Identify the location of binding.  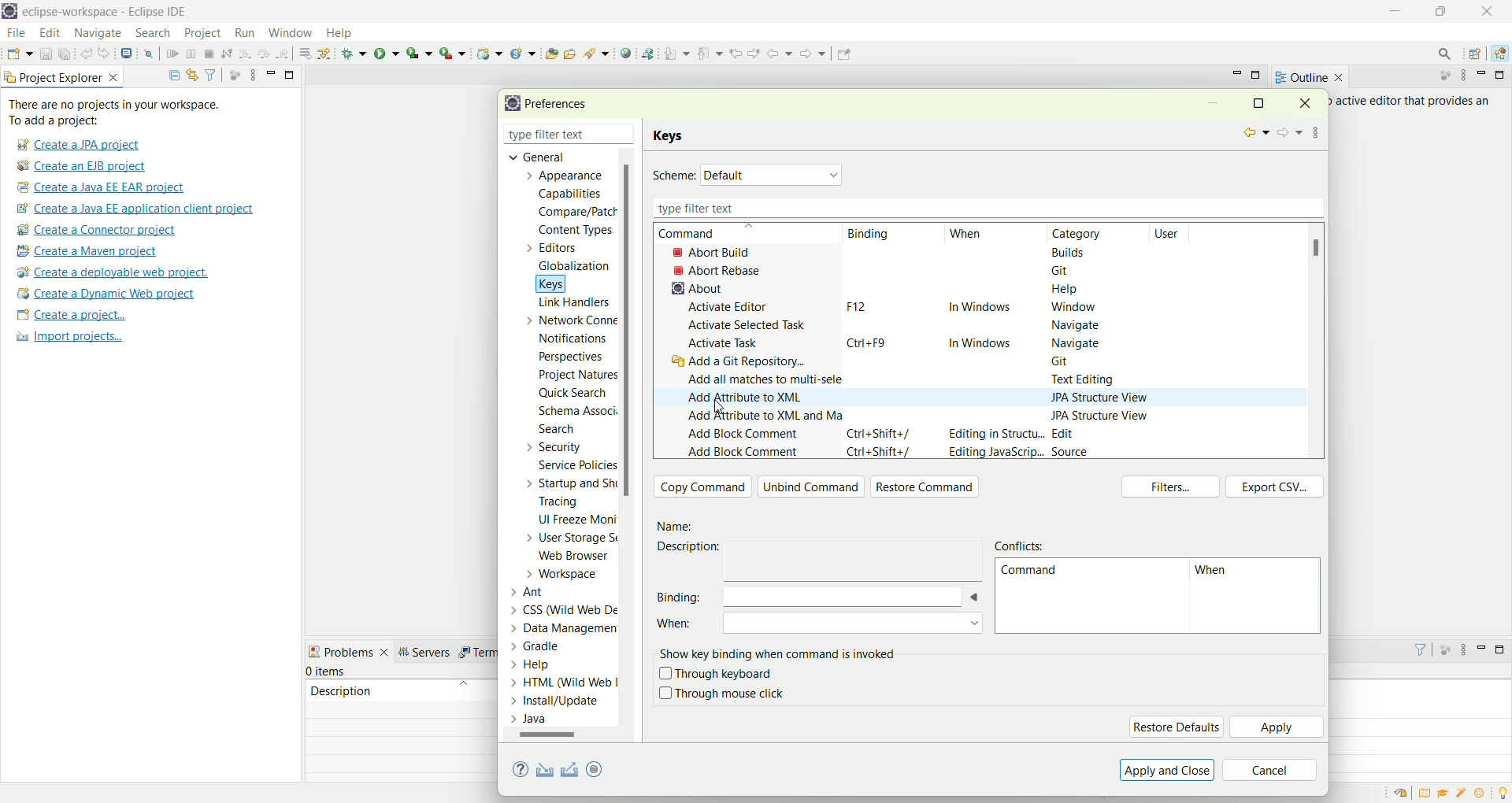
(819, 595).